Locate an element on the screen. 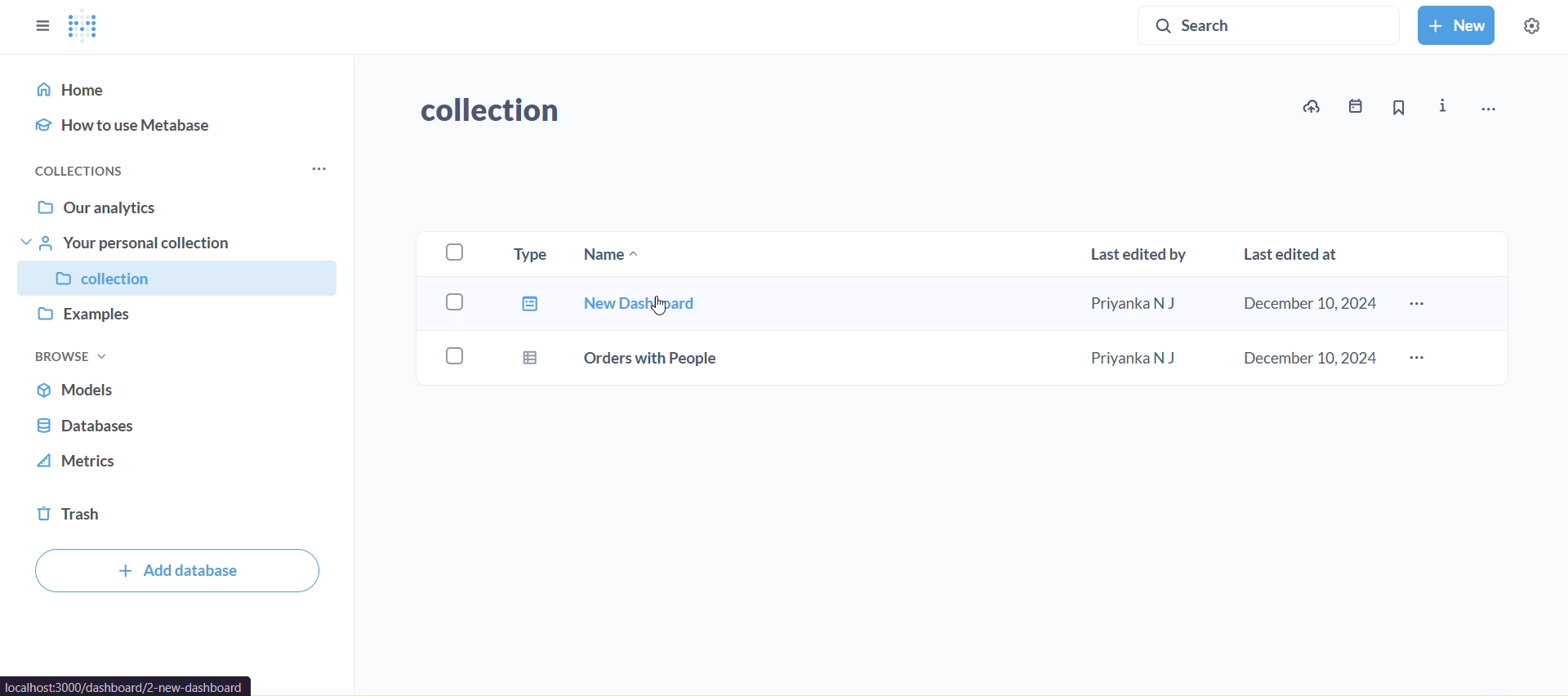 This screenshot has height=696, width=1568. order with people is located at coordinates (622, 360).